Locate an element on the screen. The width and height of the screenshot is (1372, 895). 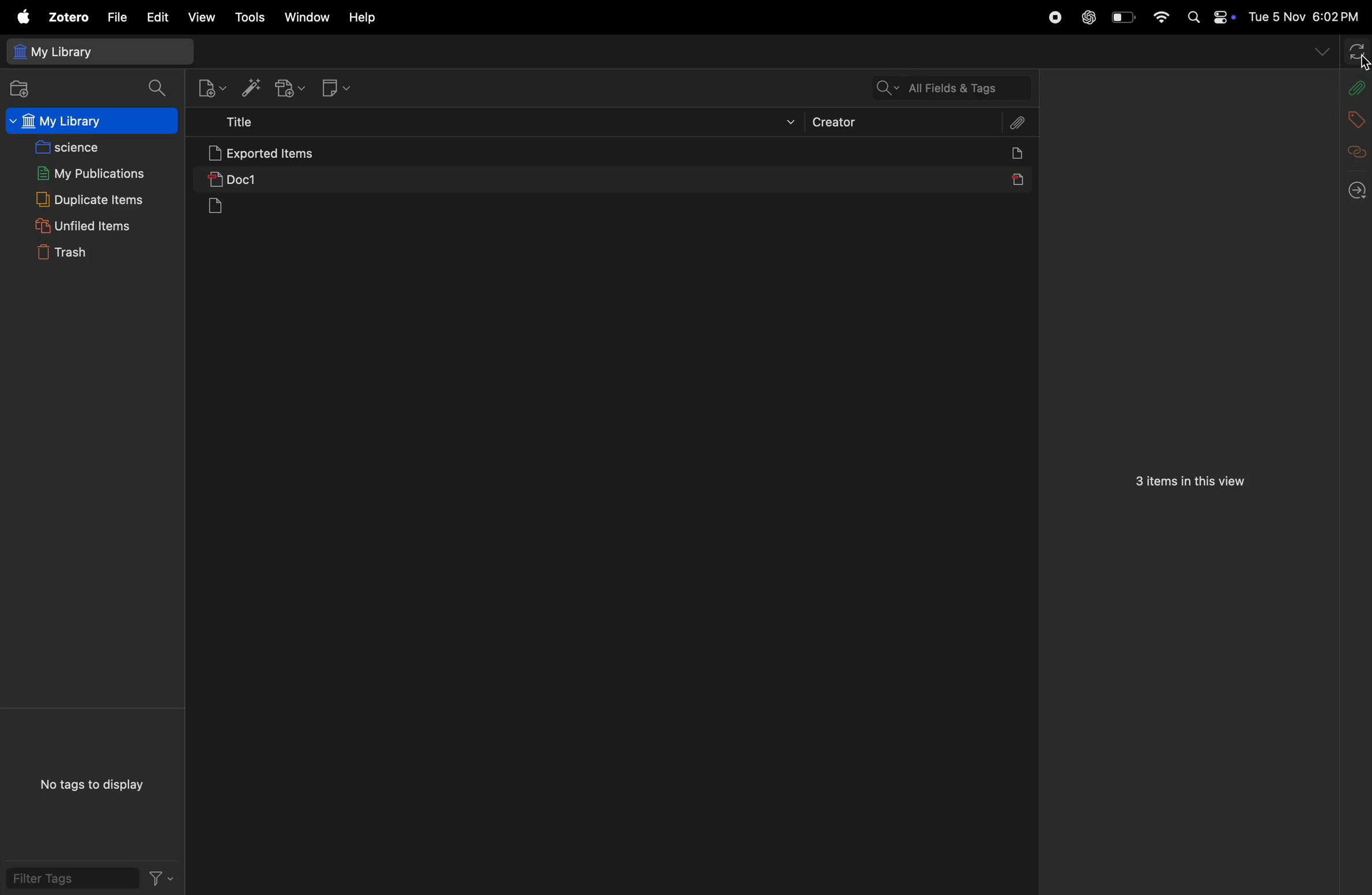
wifi is located at coordinates (1160, 17).